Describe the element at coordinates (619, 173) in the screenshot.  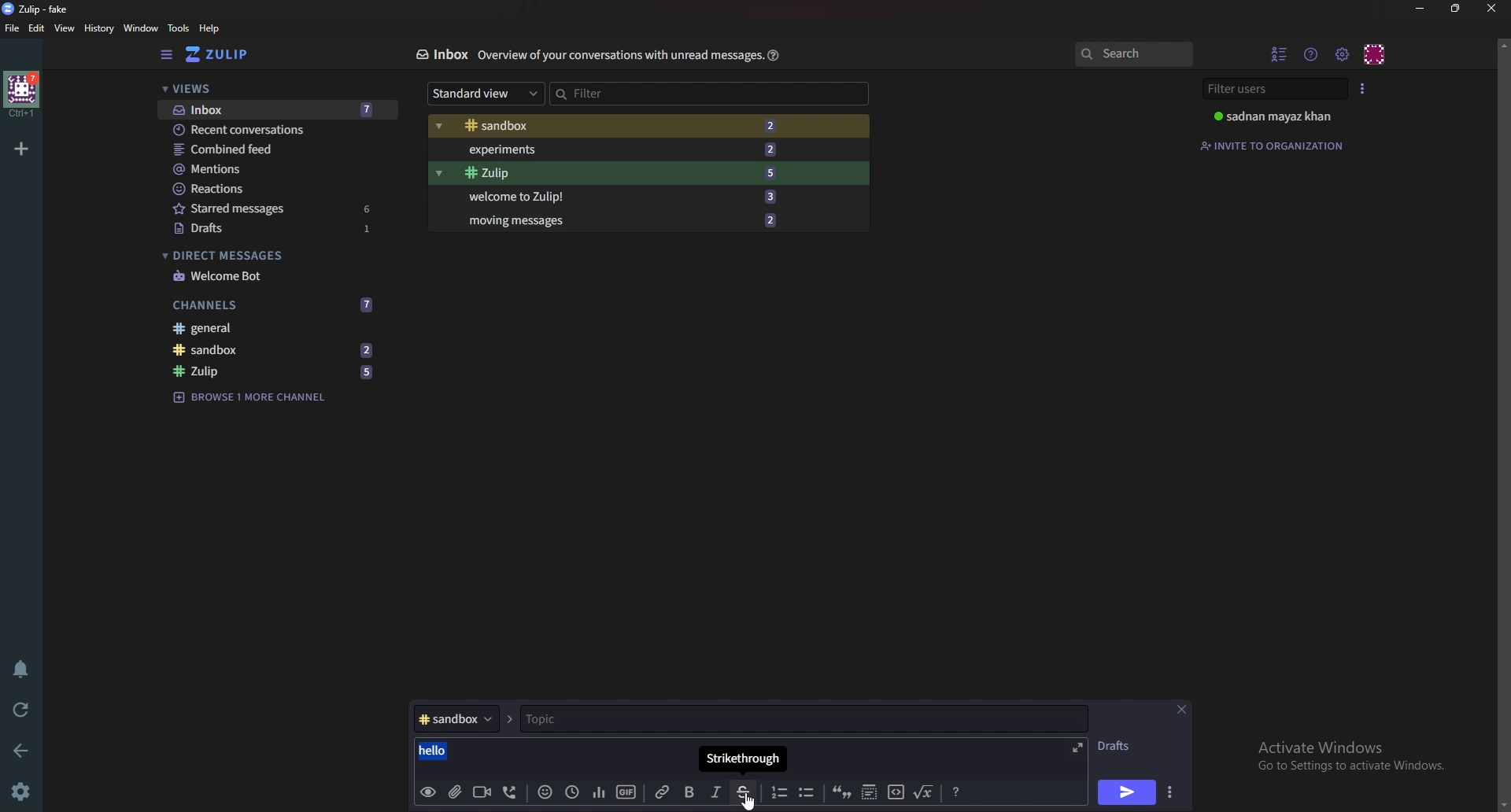
I see `Zulip` at that location.